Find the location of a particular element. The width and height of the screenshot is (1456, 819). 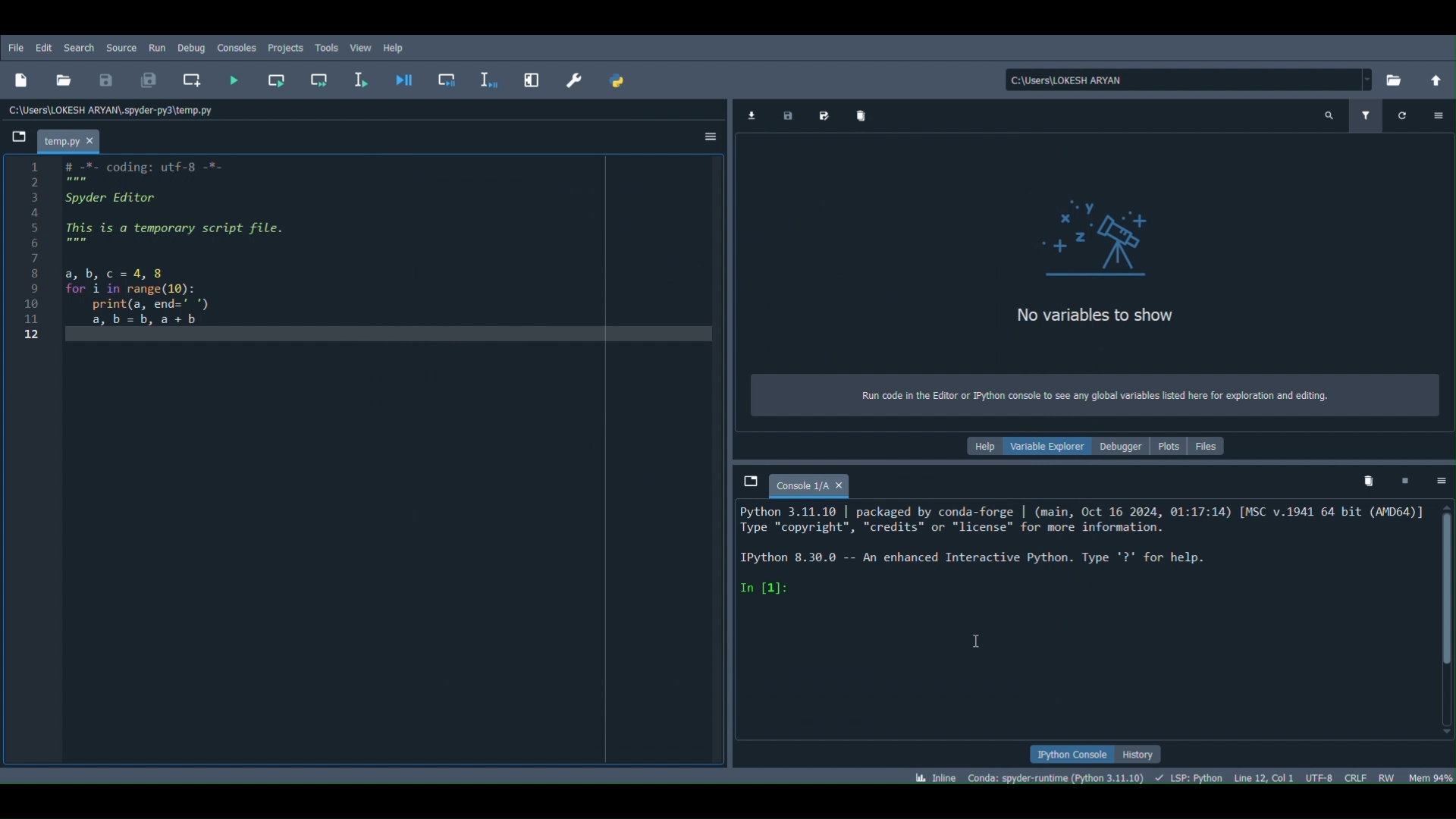

Open file (Ctrl + O) is located at coordinates (64, 80).